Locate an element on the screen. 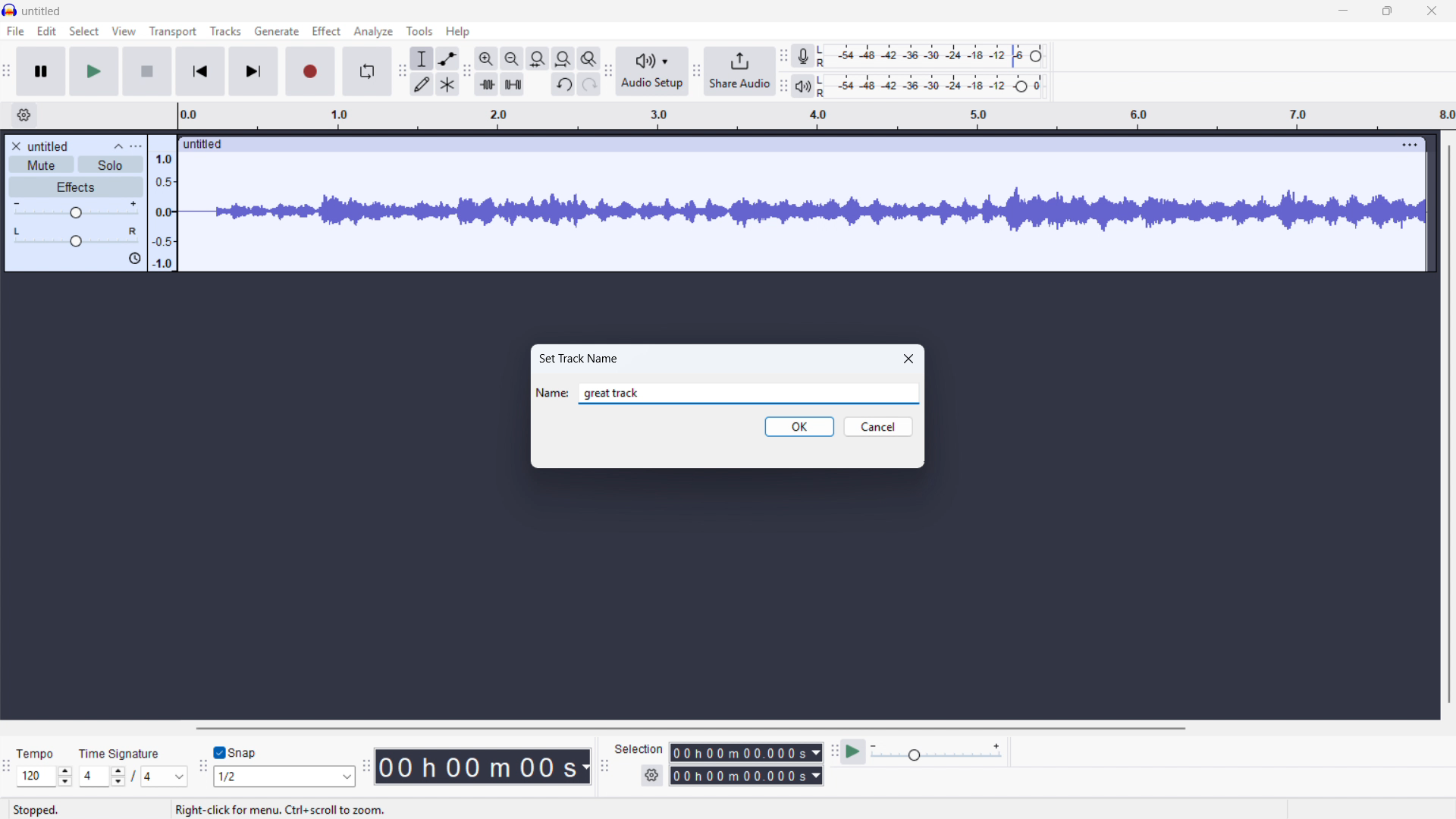 The width and height of the screenshot is (1456, 819). Amplitude  is located at coordinates (161, 202).